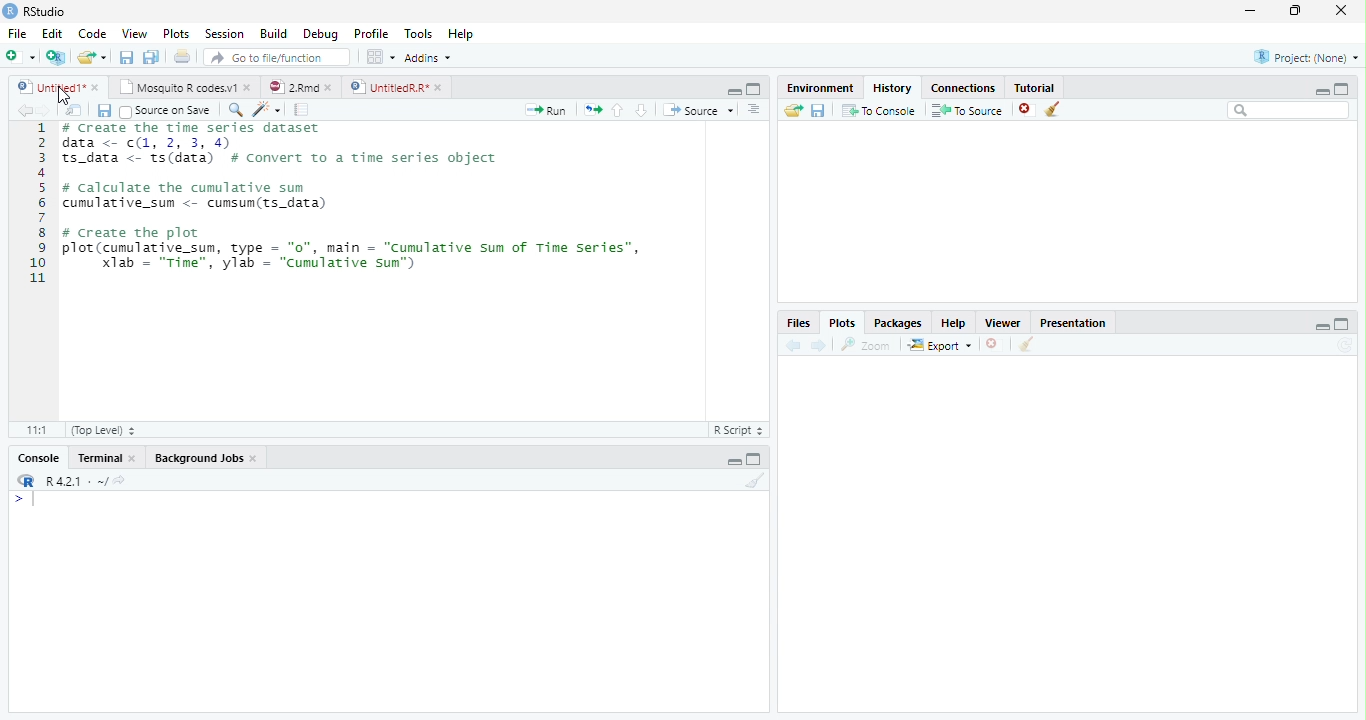 This screenshot has width=1366, height=720. What do you see at coordinates (1001, 325) in the screenshot?
I see `Viewer` at bounding box center [1001, 325].